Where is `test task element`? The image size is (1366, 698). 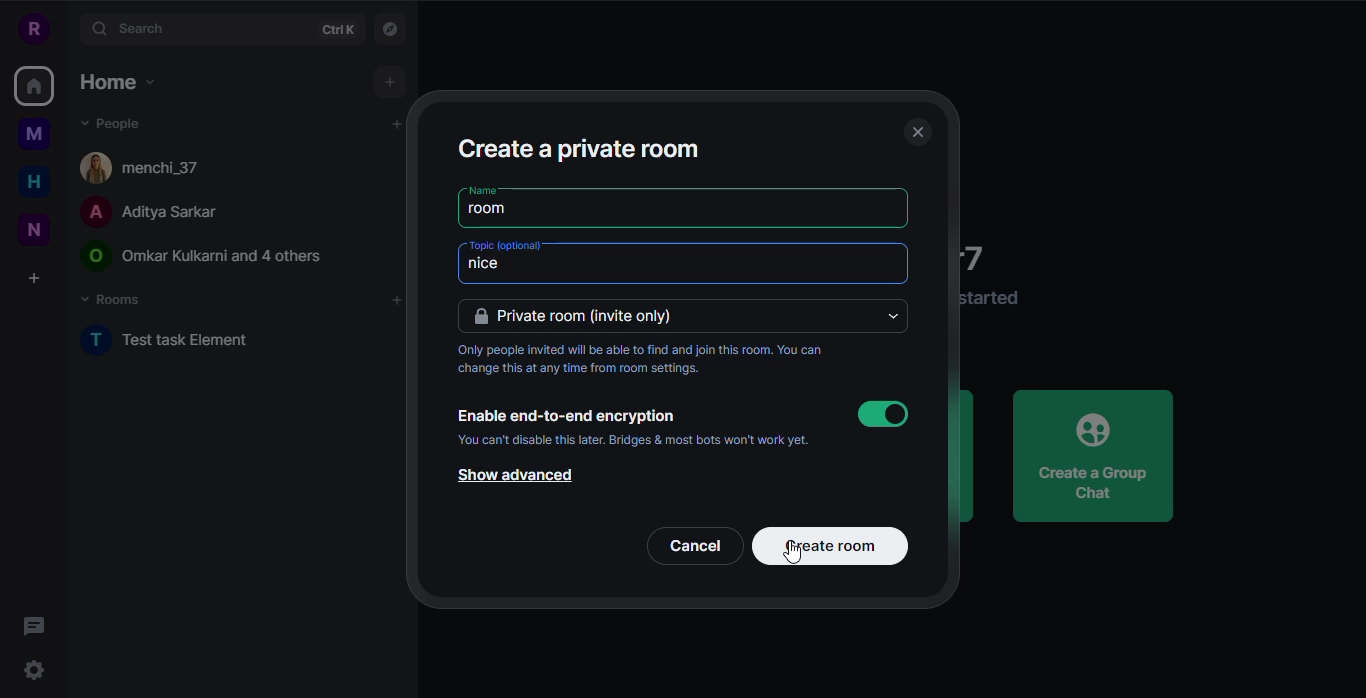 test task element is located at coordinates (168, 340).